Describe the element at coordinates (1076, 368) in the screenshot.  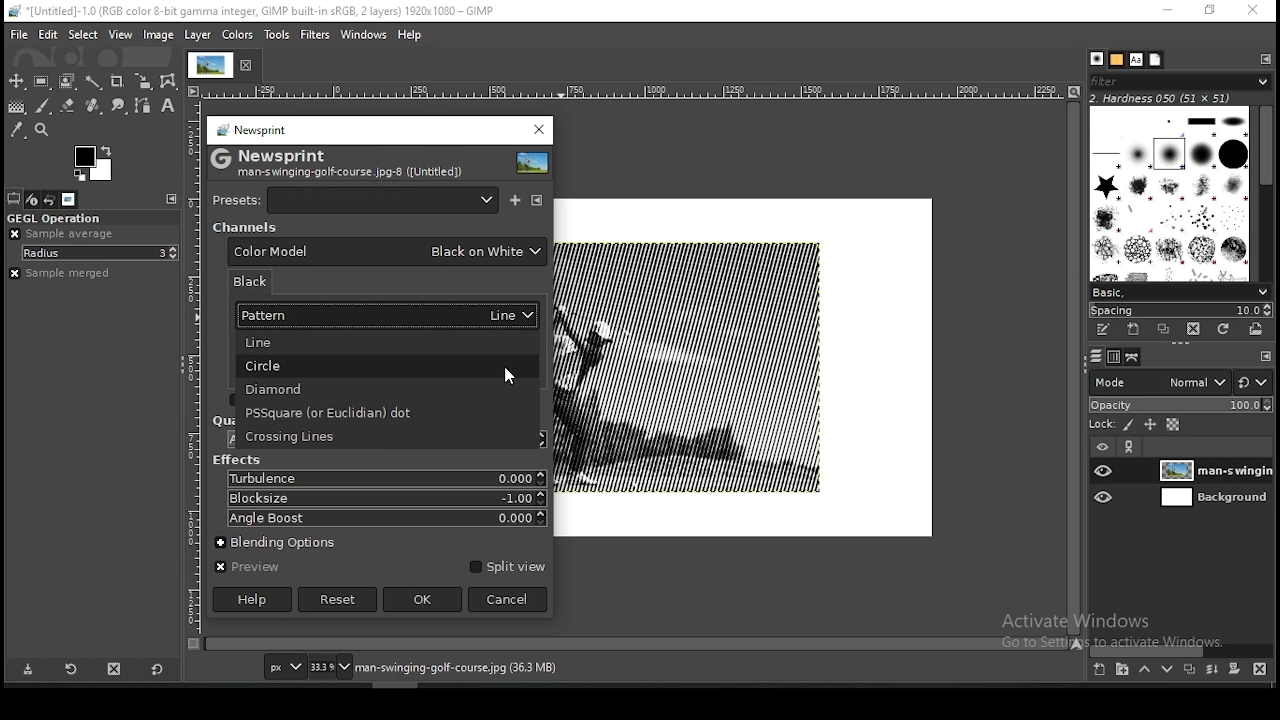
I see `scroll bar` at that location.